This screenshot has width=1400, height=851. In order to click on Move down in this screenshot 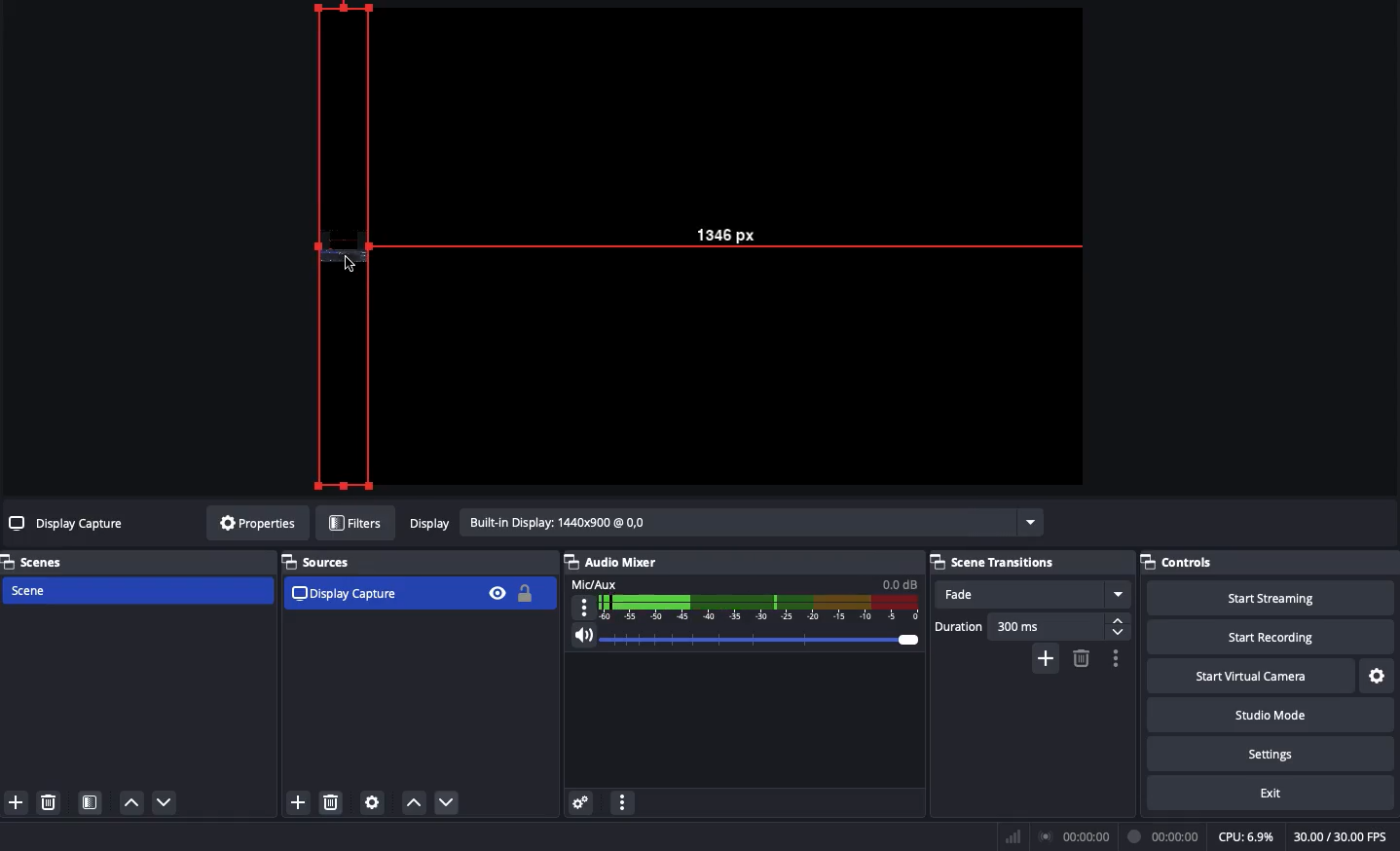, I will do `click(166, 802)`.